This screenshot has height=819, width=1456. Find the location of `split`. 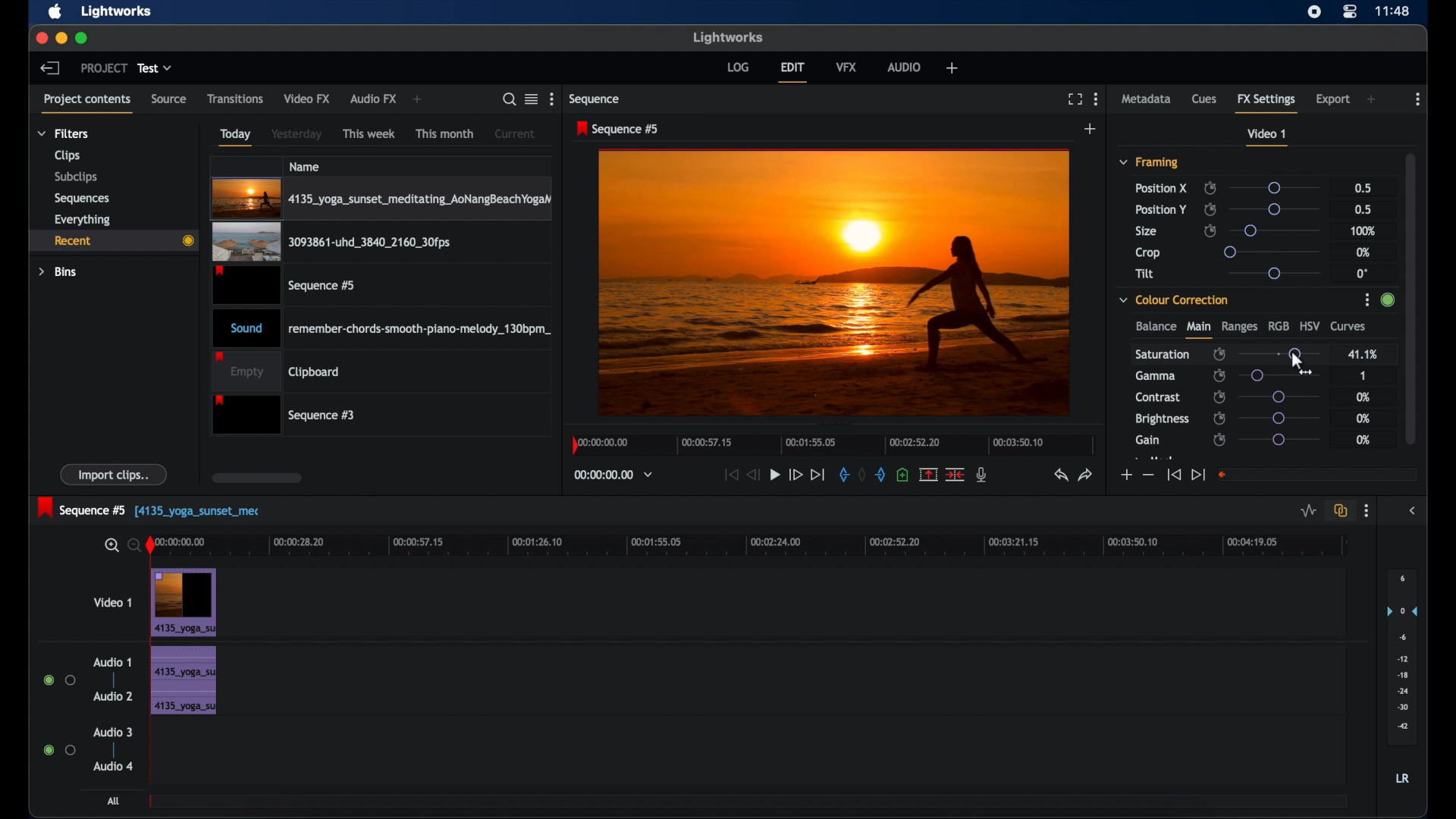

split is located at coordinates (928, 474).